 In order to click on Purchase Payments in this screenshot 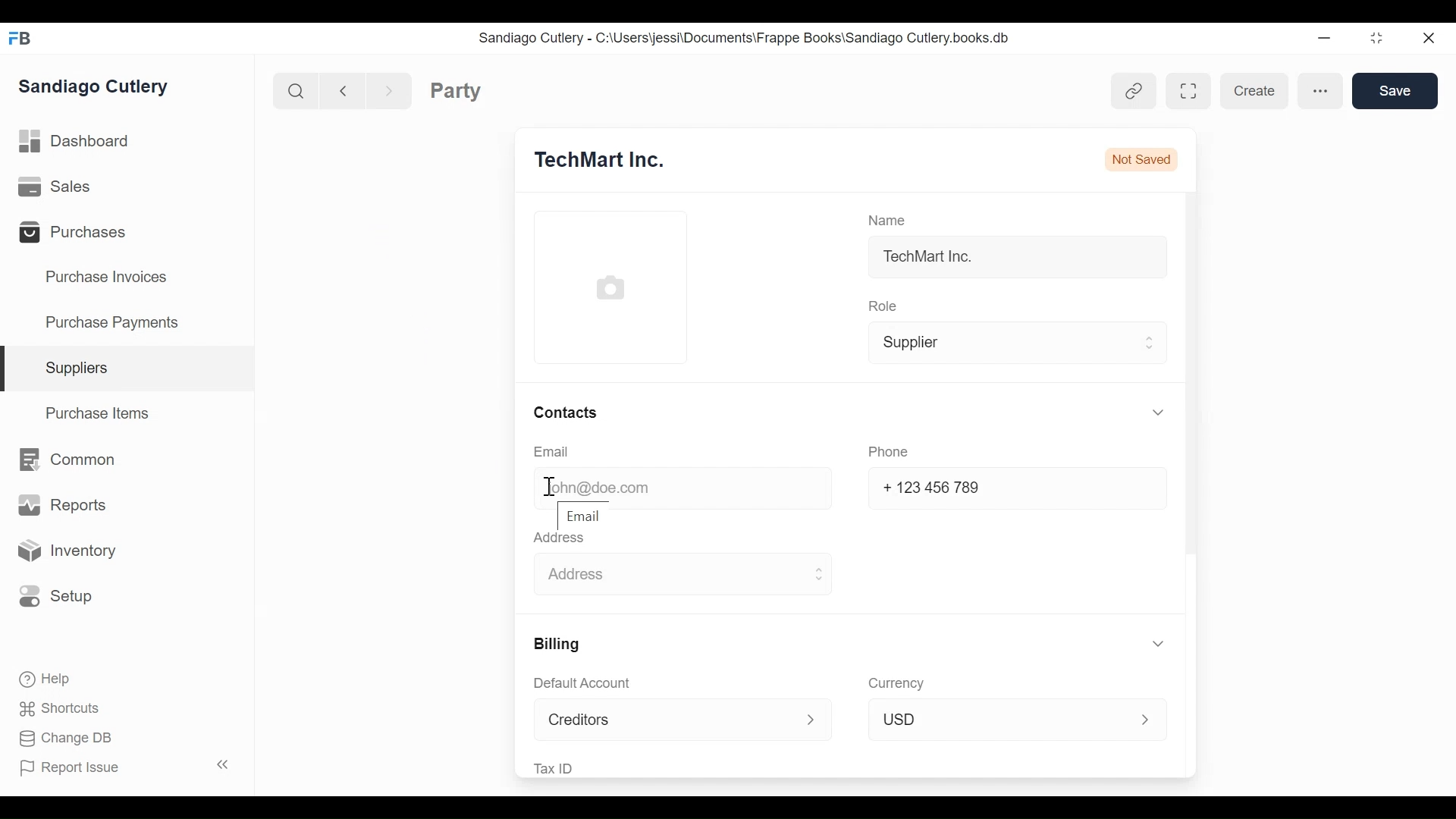, I will do `click(115, 321)`.